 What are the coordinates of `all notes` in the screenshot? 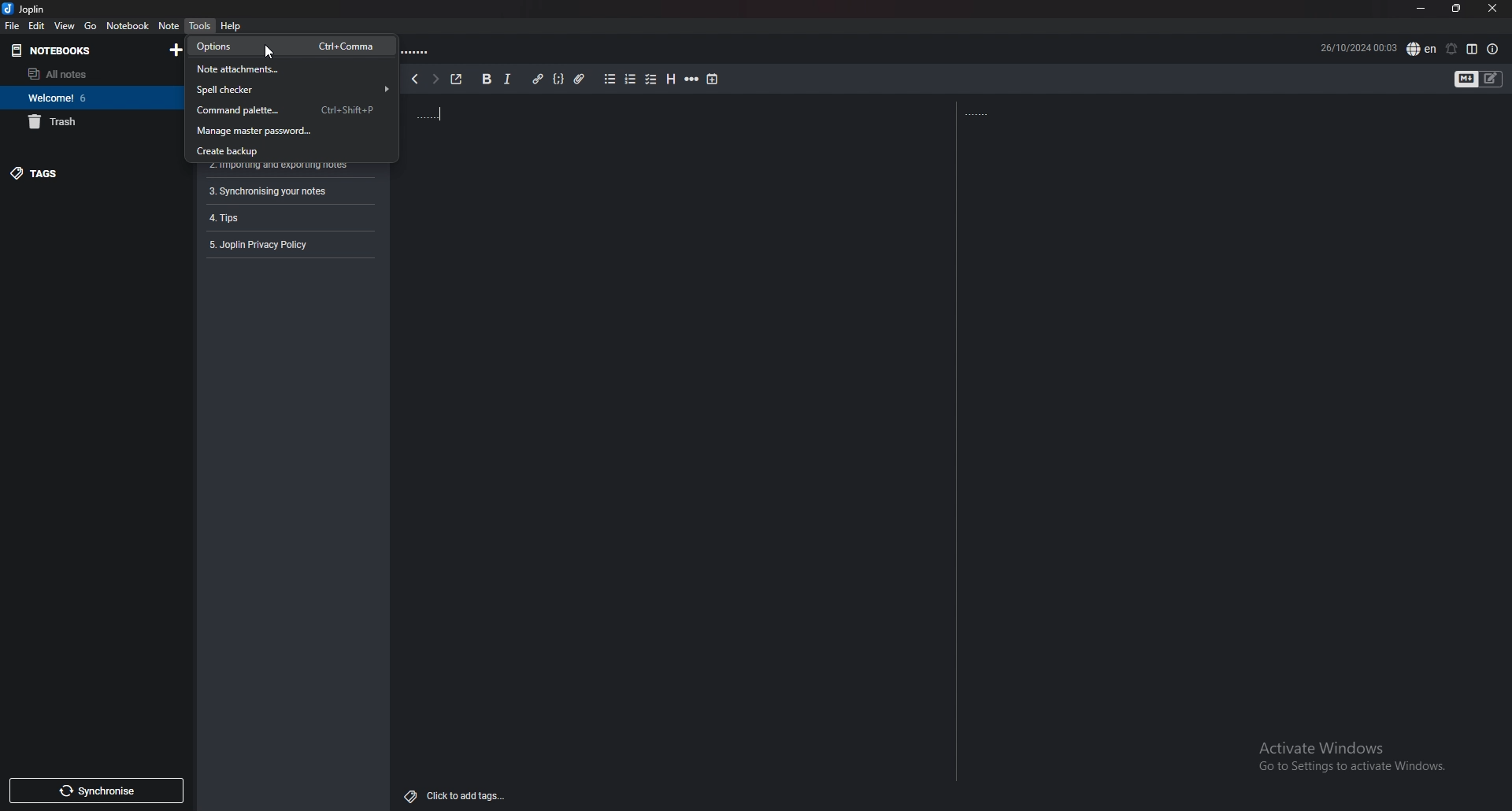 It's located at (87, 73).